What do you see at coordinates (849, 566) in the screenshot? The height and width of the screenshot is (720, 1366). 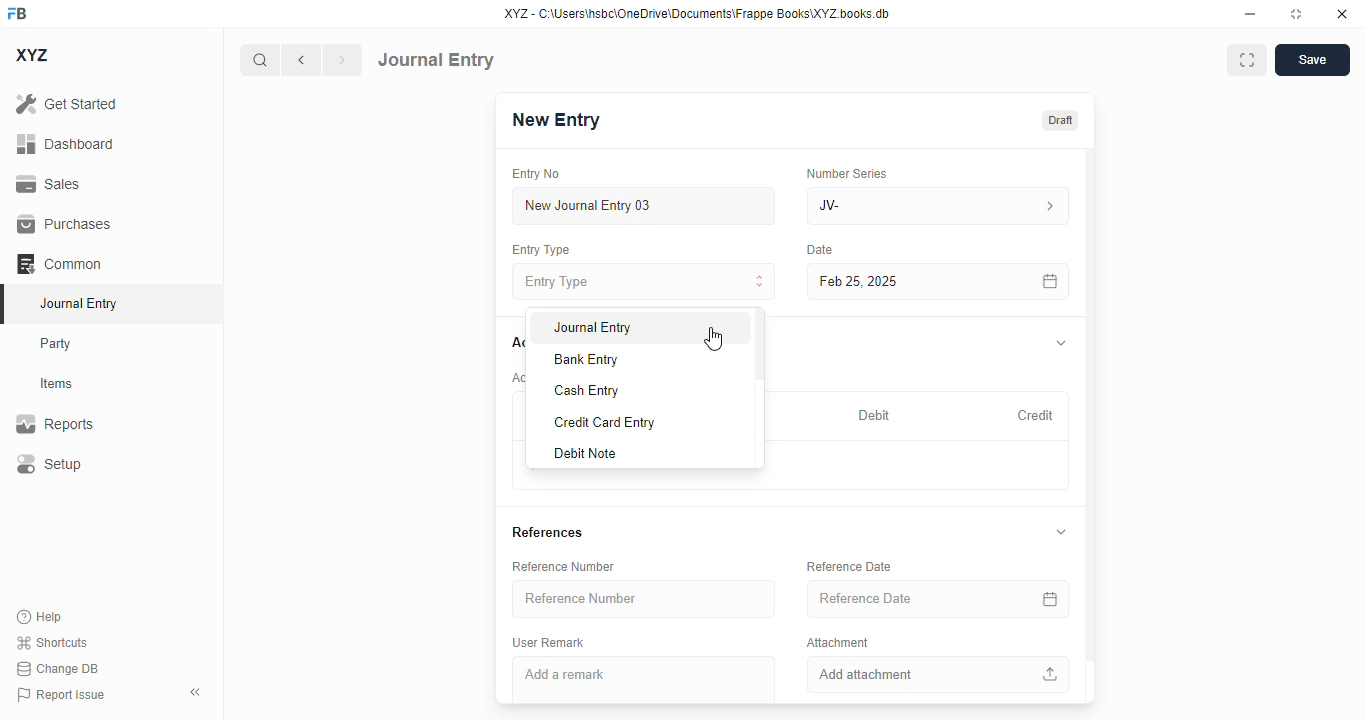 I see `reference data` at bounding box center [849, 566].